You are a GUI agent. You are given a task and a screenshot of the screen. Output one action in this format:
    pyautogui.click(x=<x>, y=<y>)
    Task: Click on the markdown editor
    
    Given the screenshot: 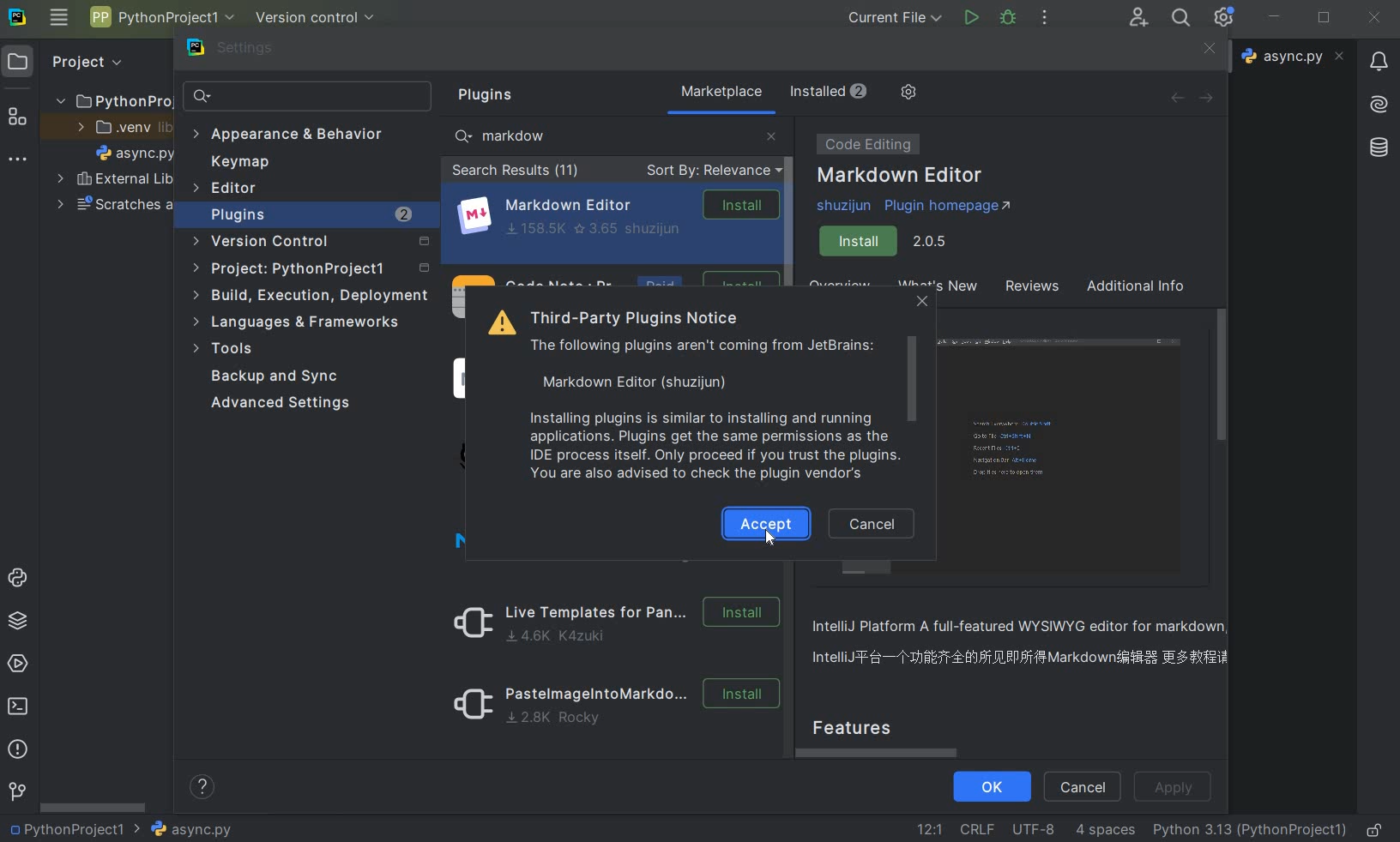 What is the action you would take?
    pyautogui.click(x=617, y=215)
    